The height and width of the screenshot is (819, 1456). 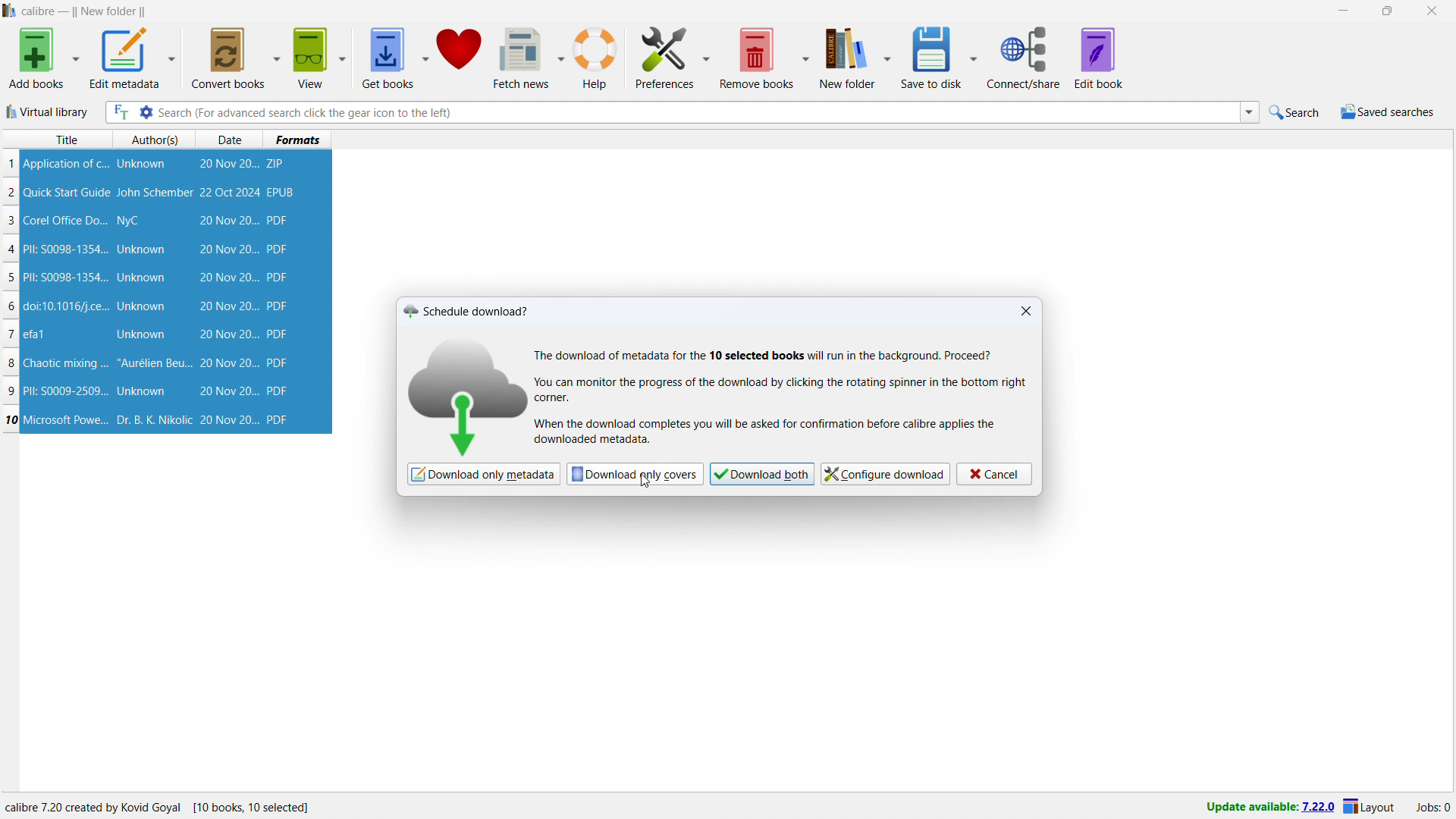 I want to click on edit metadata options, so click(x=173, y=57).